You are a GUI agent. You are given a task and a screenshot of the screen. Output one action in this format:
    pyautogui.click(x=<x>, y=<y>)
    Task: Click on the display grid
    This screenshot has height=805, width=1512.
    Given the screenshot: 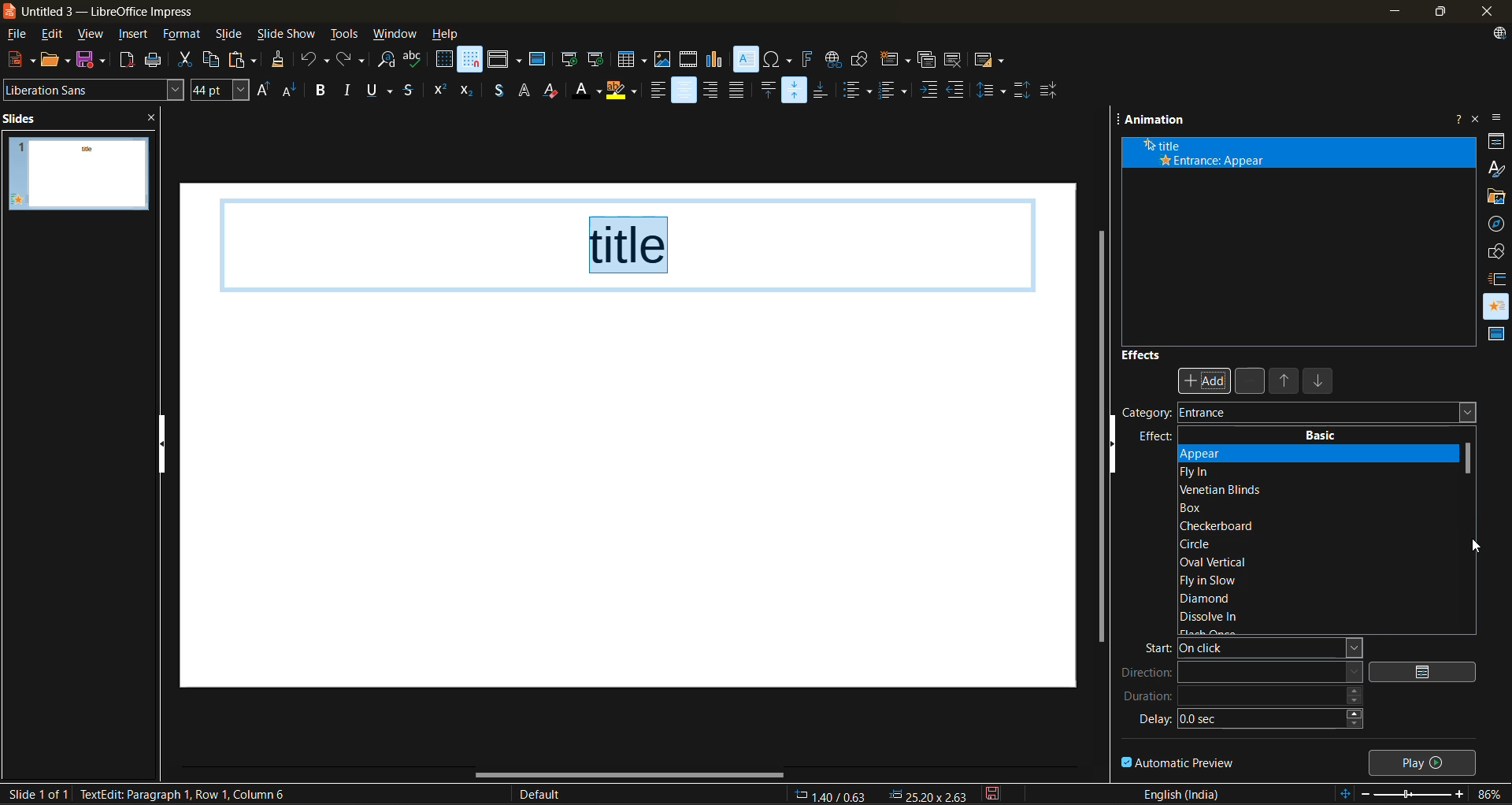 What is the action you would take?
    pyautogui.click(x=444, y=59)
    